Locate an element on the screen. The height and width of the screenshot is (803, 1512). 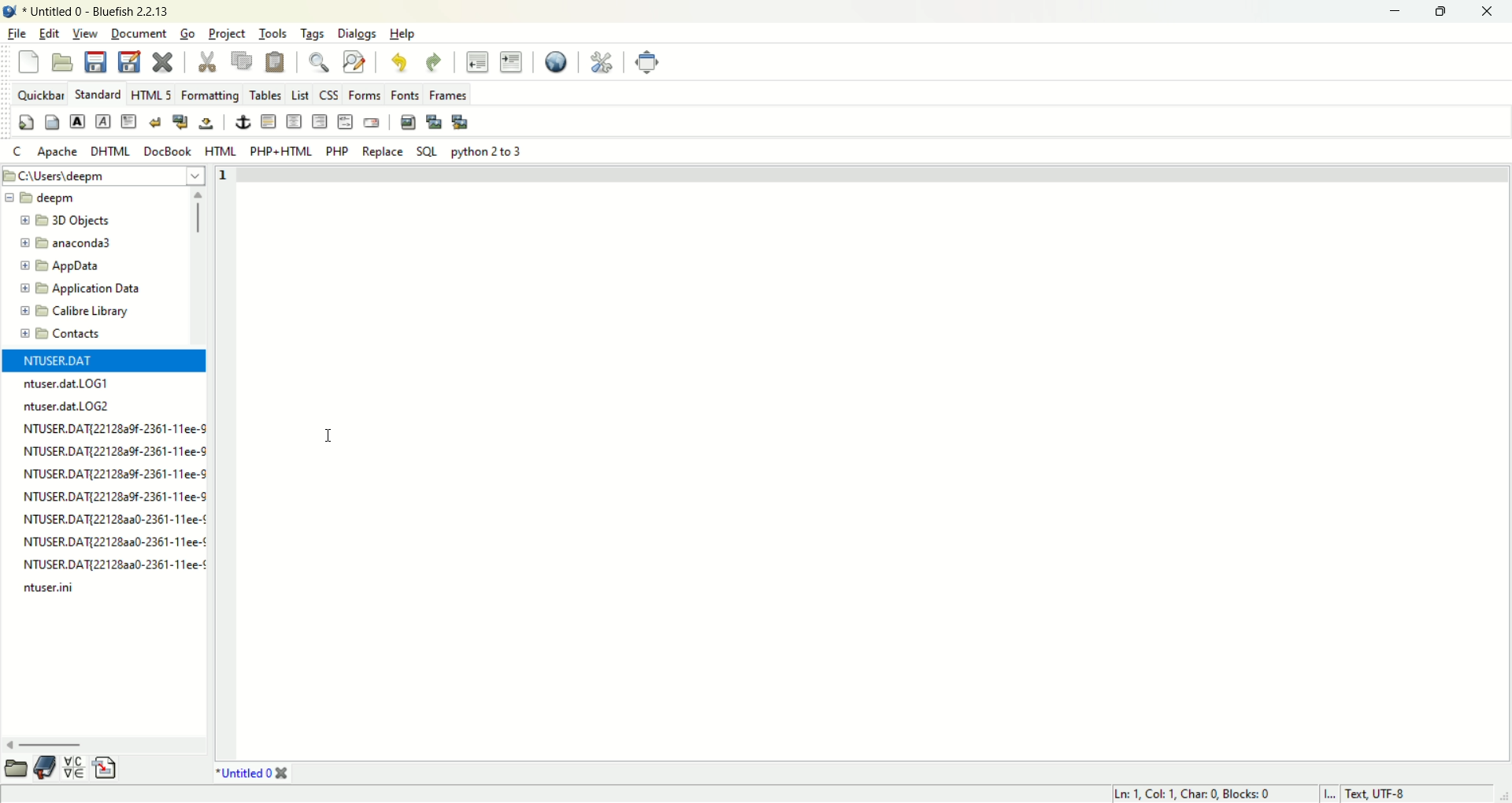
quick settings is located at coordinates (27, 121).